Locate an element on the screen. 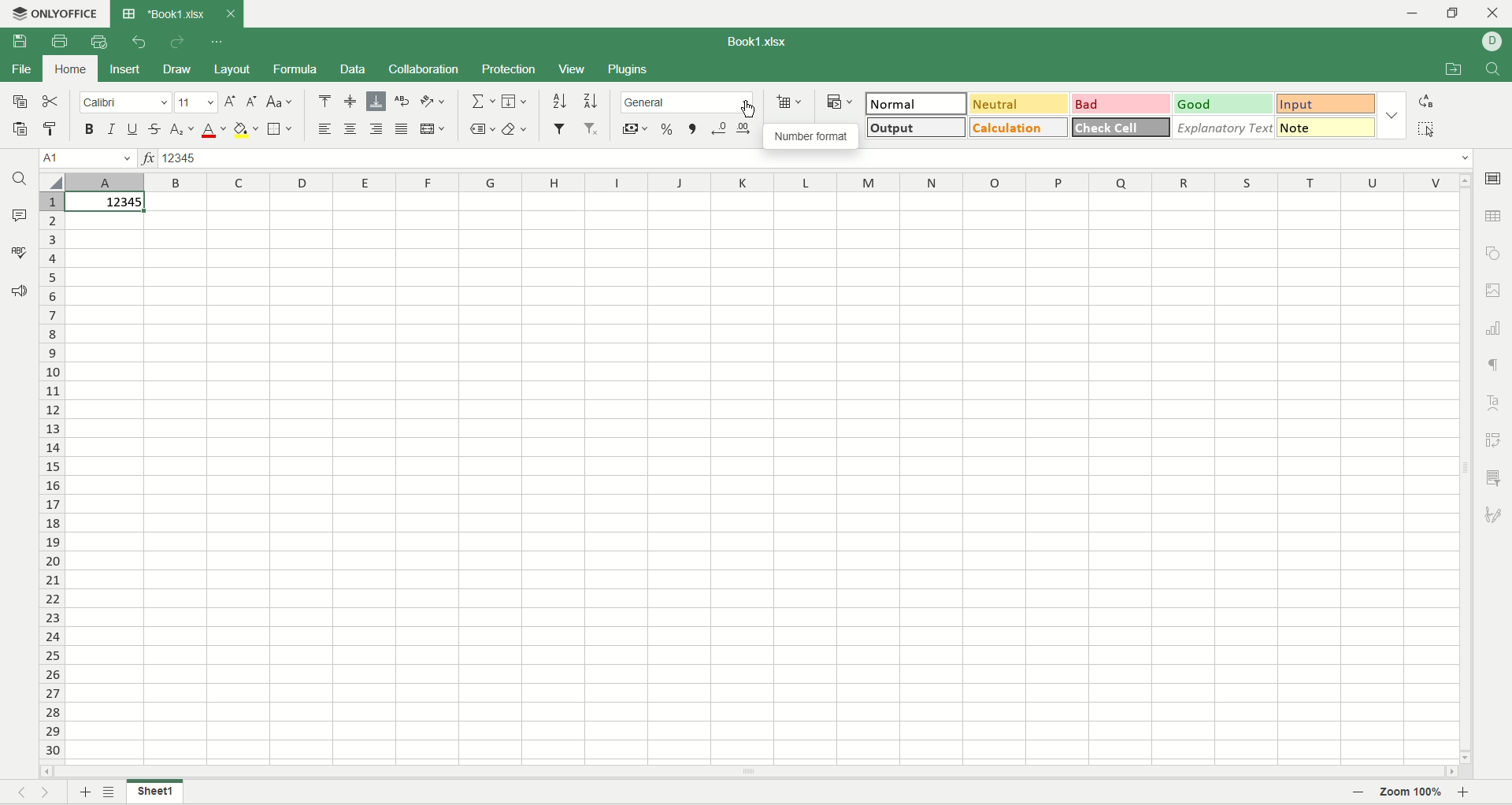 The width and height of the screenshot is (1512, 805). justified is located at coordinates (403, 129).